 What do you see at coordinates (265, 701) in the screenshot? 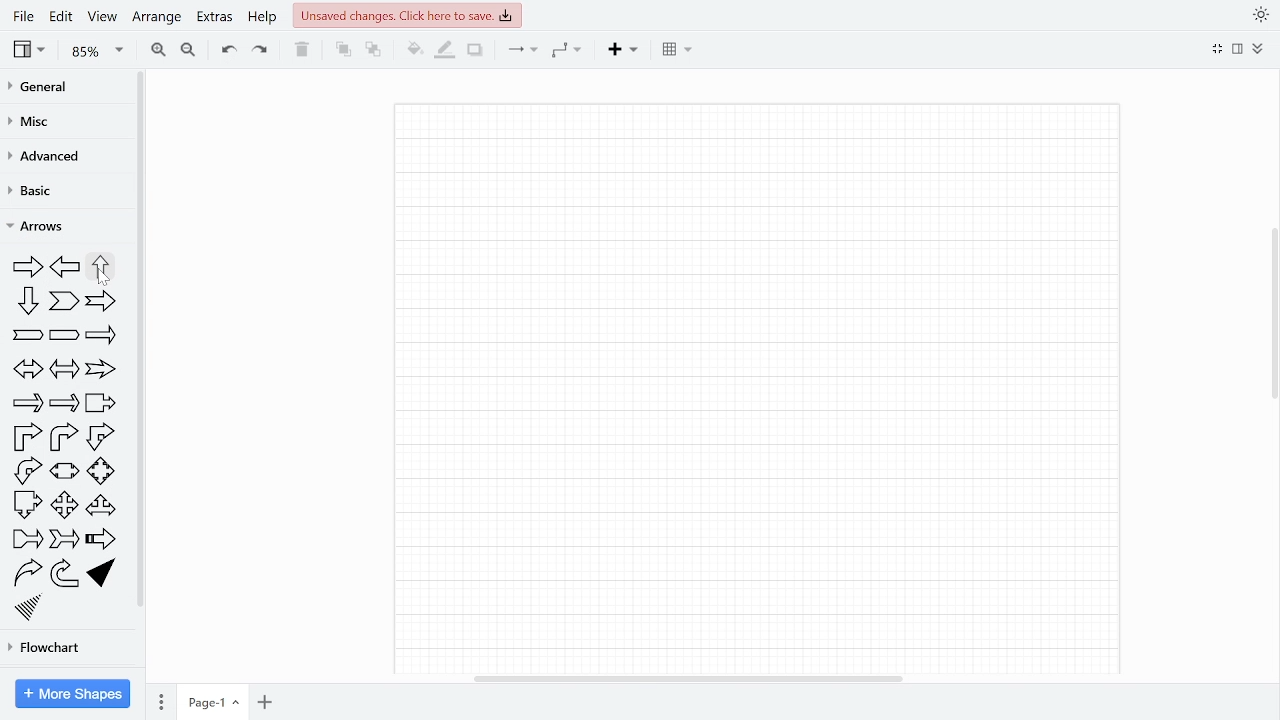
I see `Add page` at bounding box center [265, 701].